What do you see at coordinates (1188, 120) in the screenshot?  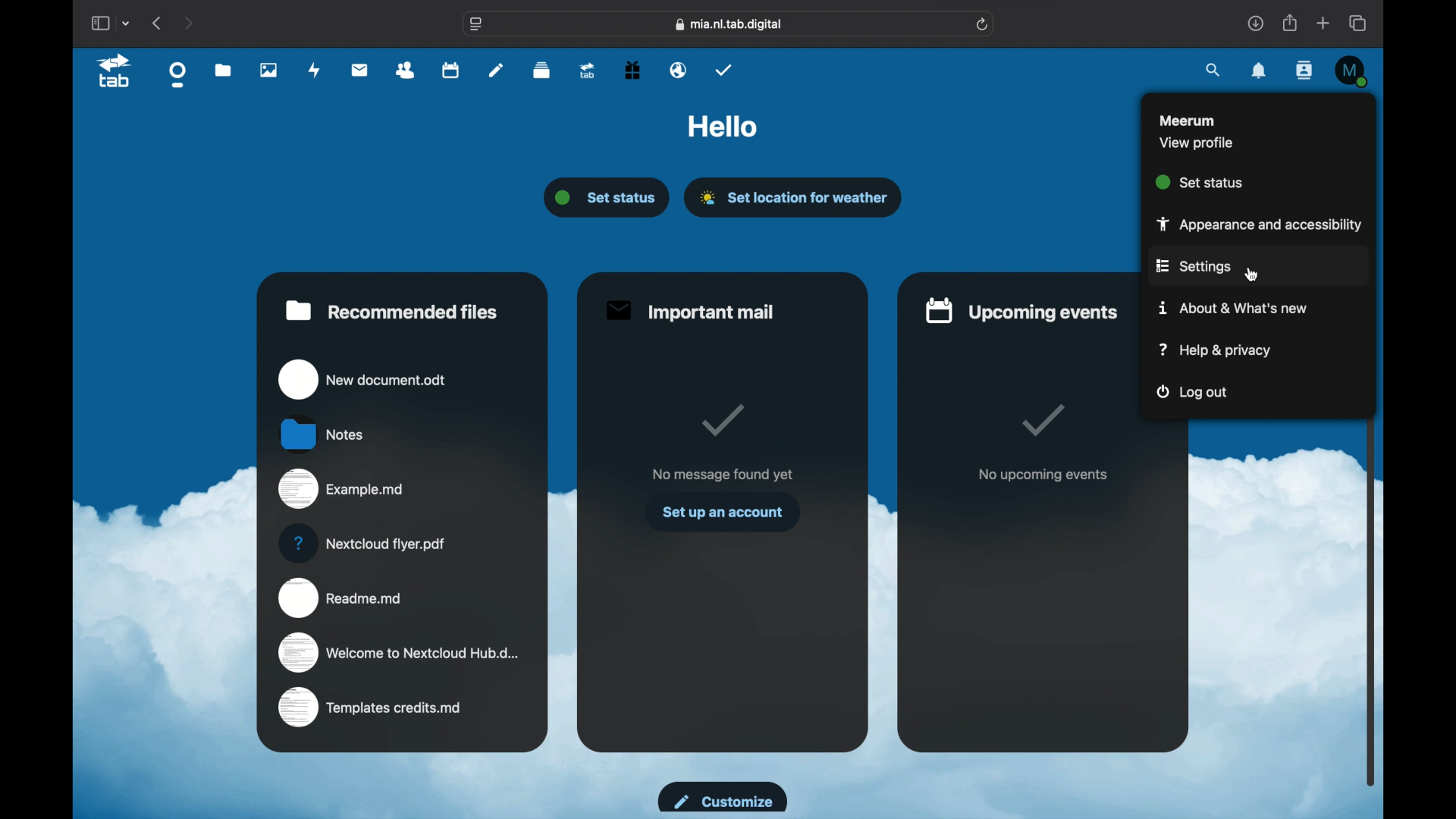 I see `meerum` at bounding box center [1188, 120].